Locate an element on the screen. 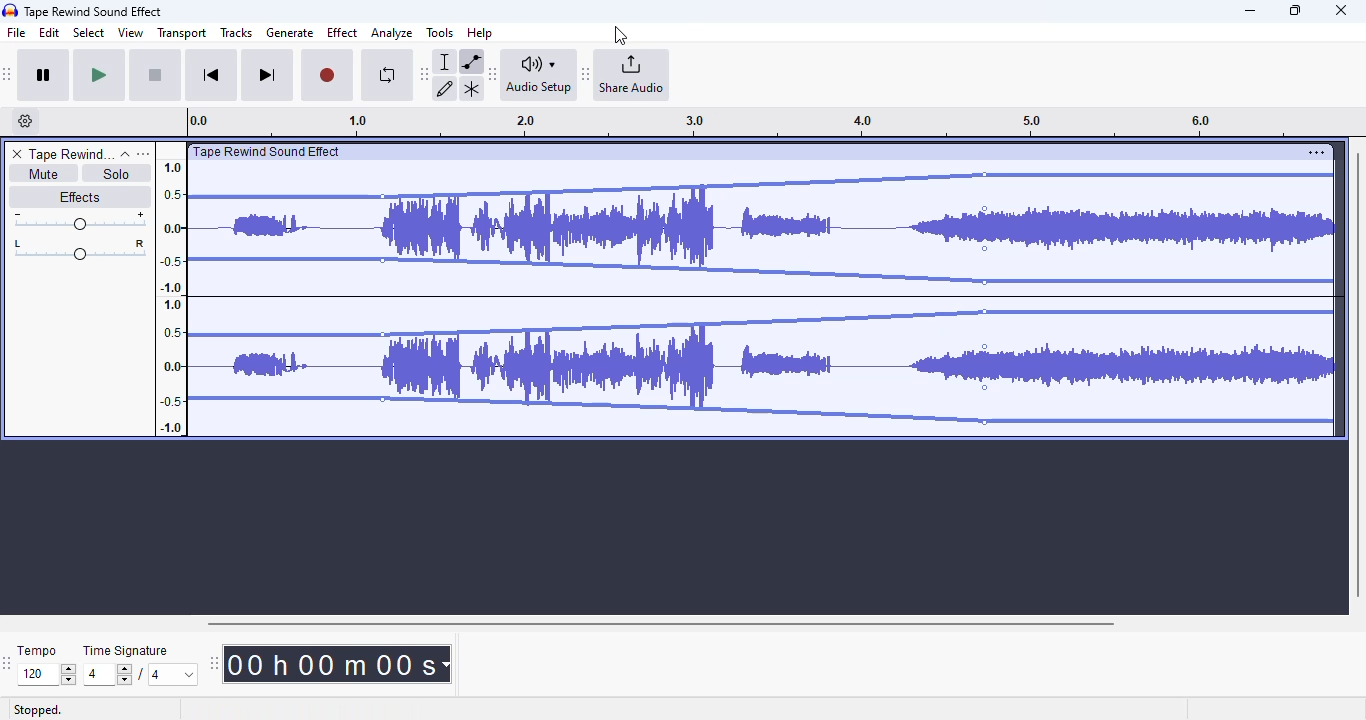 The width and height of the screenshot is (1366, 720). generate is located at coordinates (290, 33).